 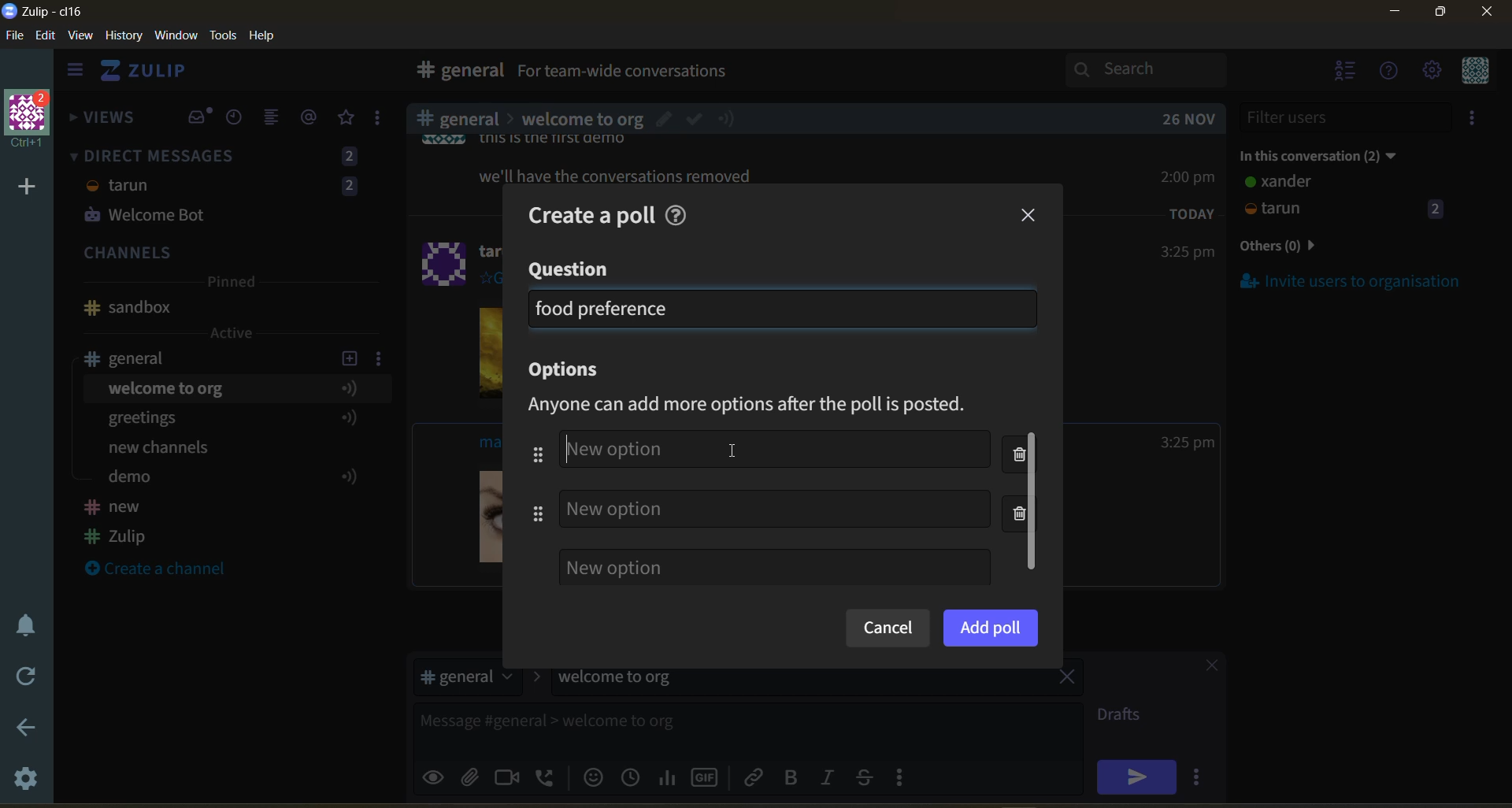 What do you see at coordinates (31, 120) in the screenshot?
I see `organisation` at bounding box center [31, 120].